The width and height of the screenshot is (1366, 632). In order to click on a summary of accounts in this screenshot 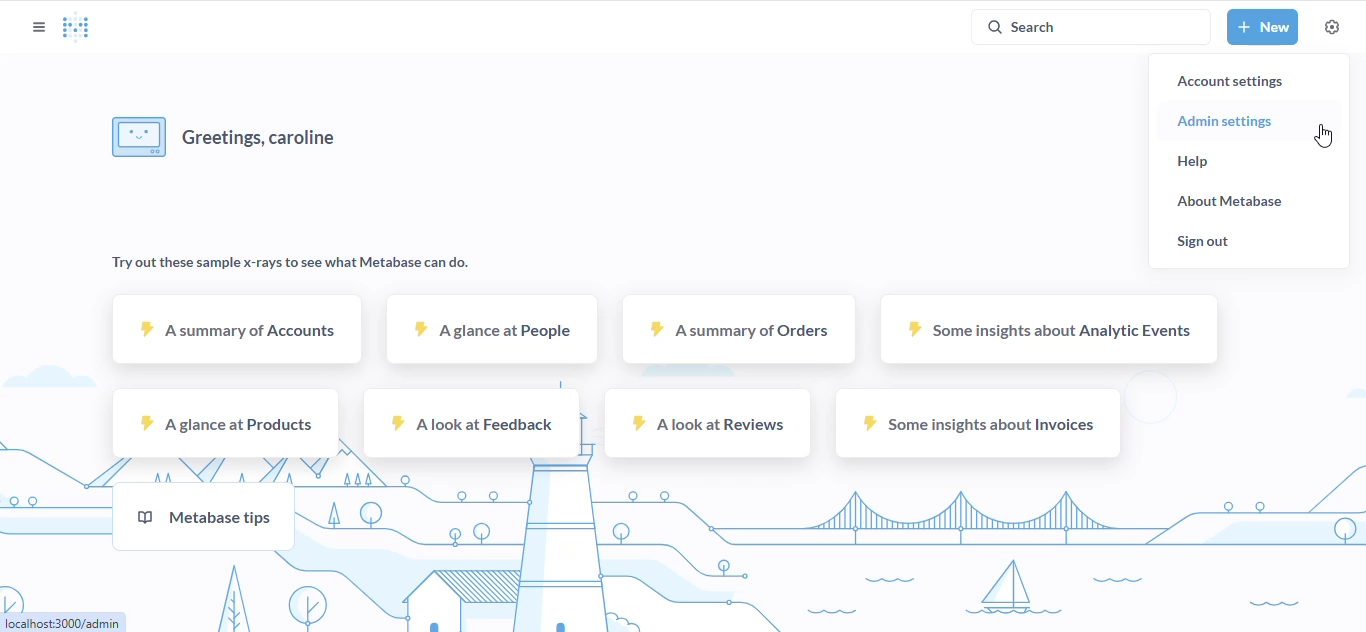, I will do `click(236, 329)`.